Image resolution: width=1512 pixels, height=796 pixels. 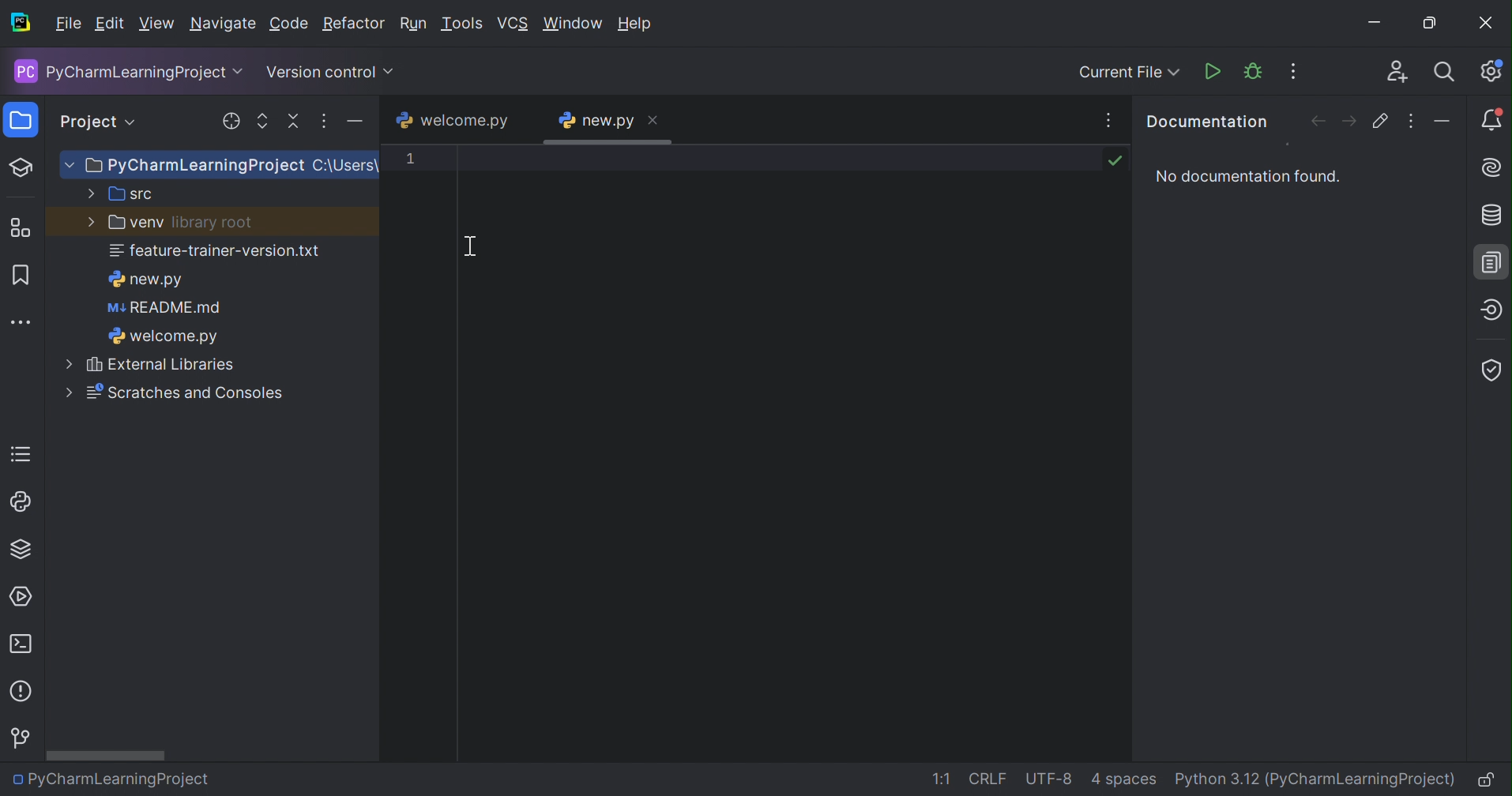 What do you see at coordinates (515, 24) in the screenshot?
I see `VCS` at bounding box center [515, 24].